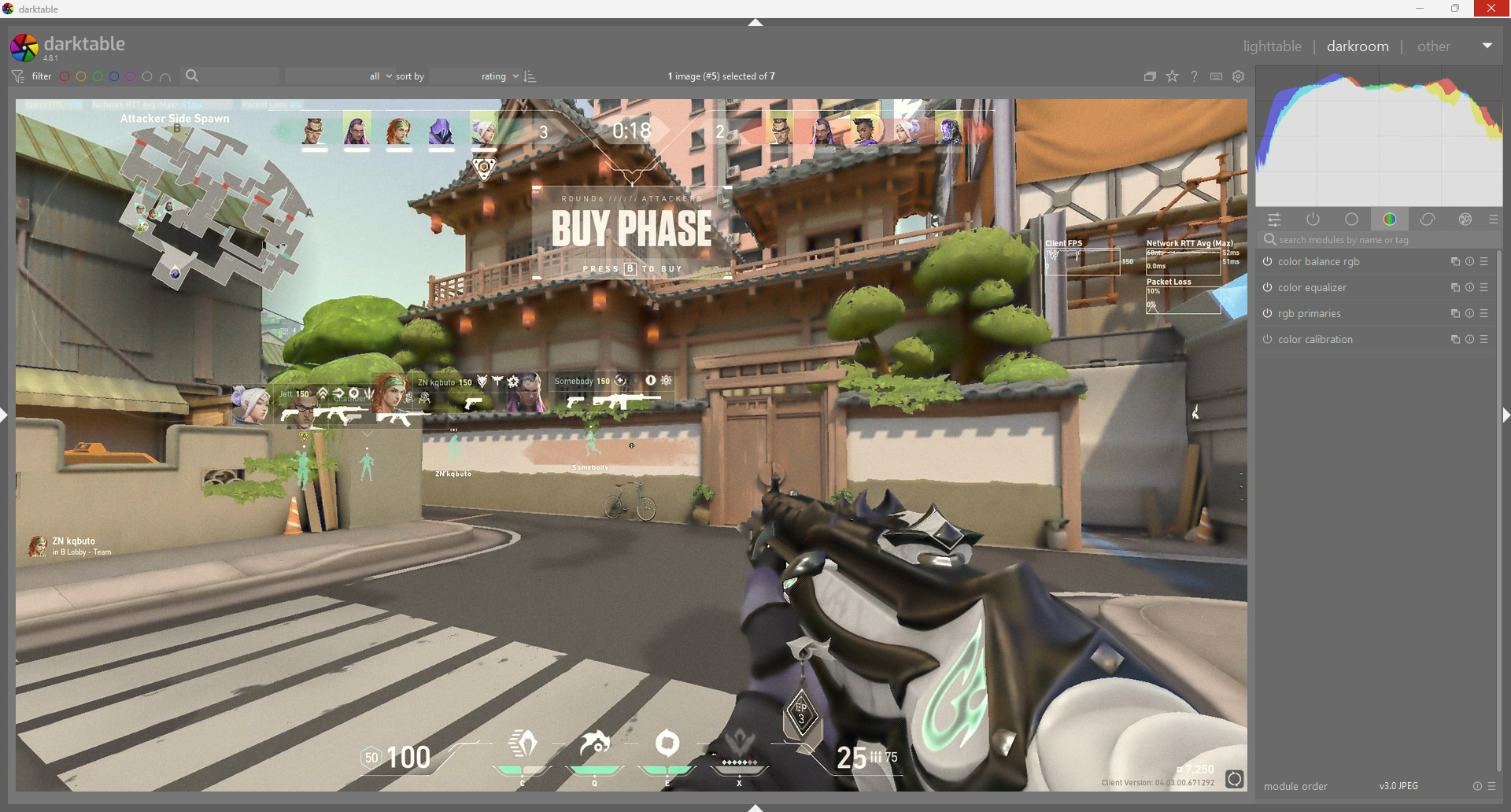  I want to click on multiple instances action, so click(1447, 341).